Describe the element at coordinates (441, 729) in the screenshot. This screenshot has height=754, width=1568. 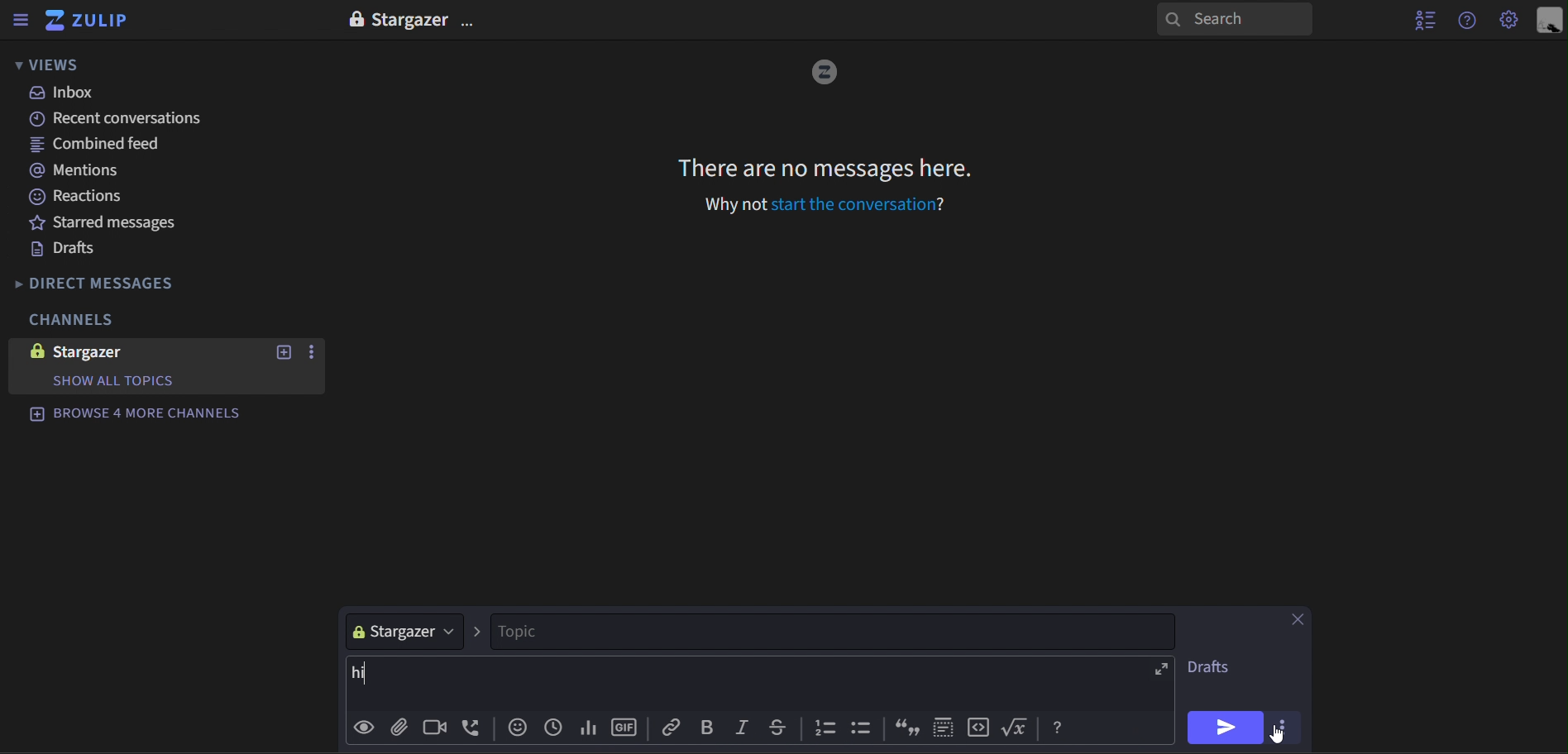
I see `add video call` at that location.